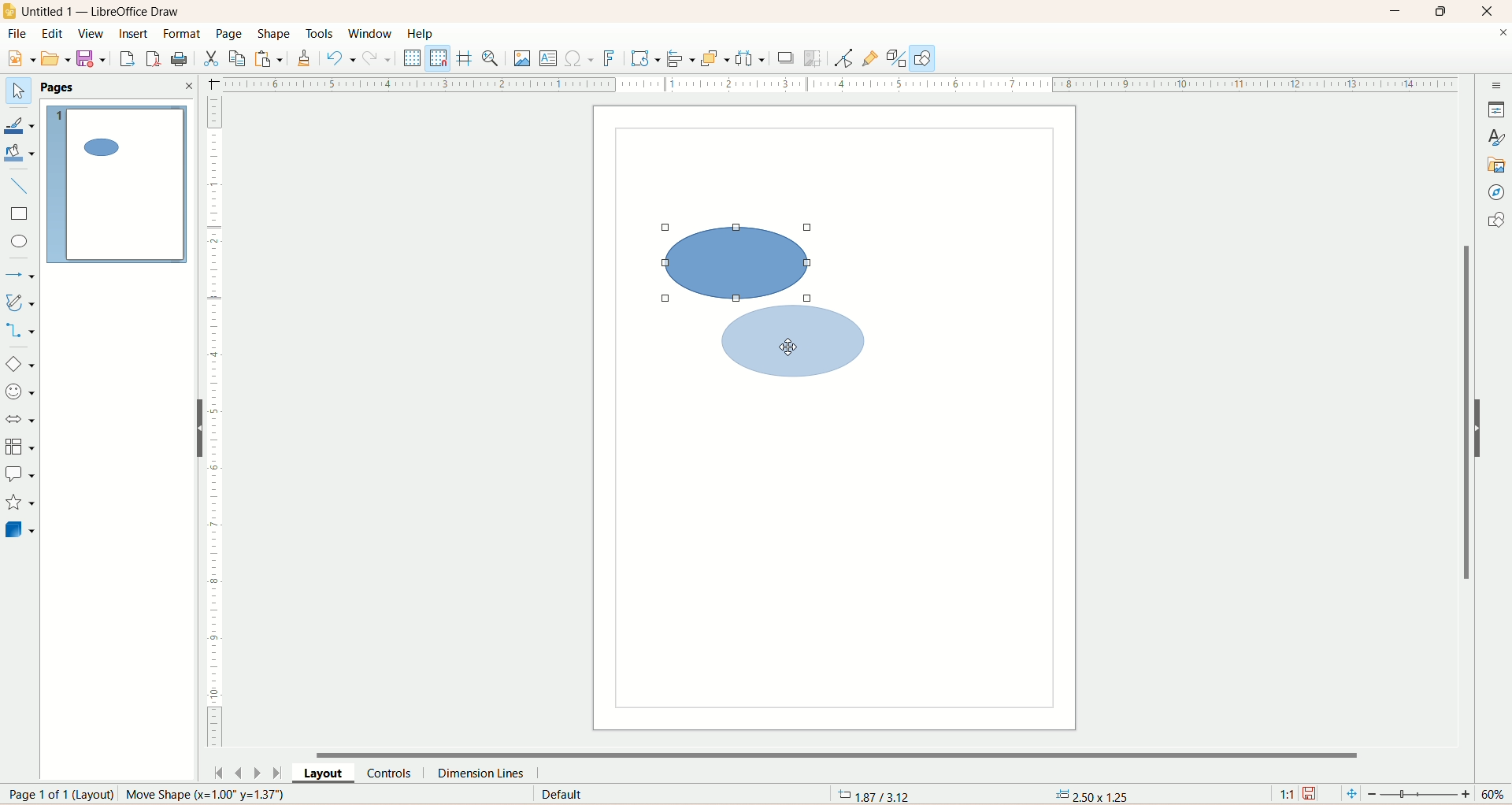 This screenshot has height=805, width=1512. What do you see at coordinates (1462, 421) in the screenshot?
I see `vertical scroll bar` at bounding box center [1462, 421].